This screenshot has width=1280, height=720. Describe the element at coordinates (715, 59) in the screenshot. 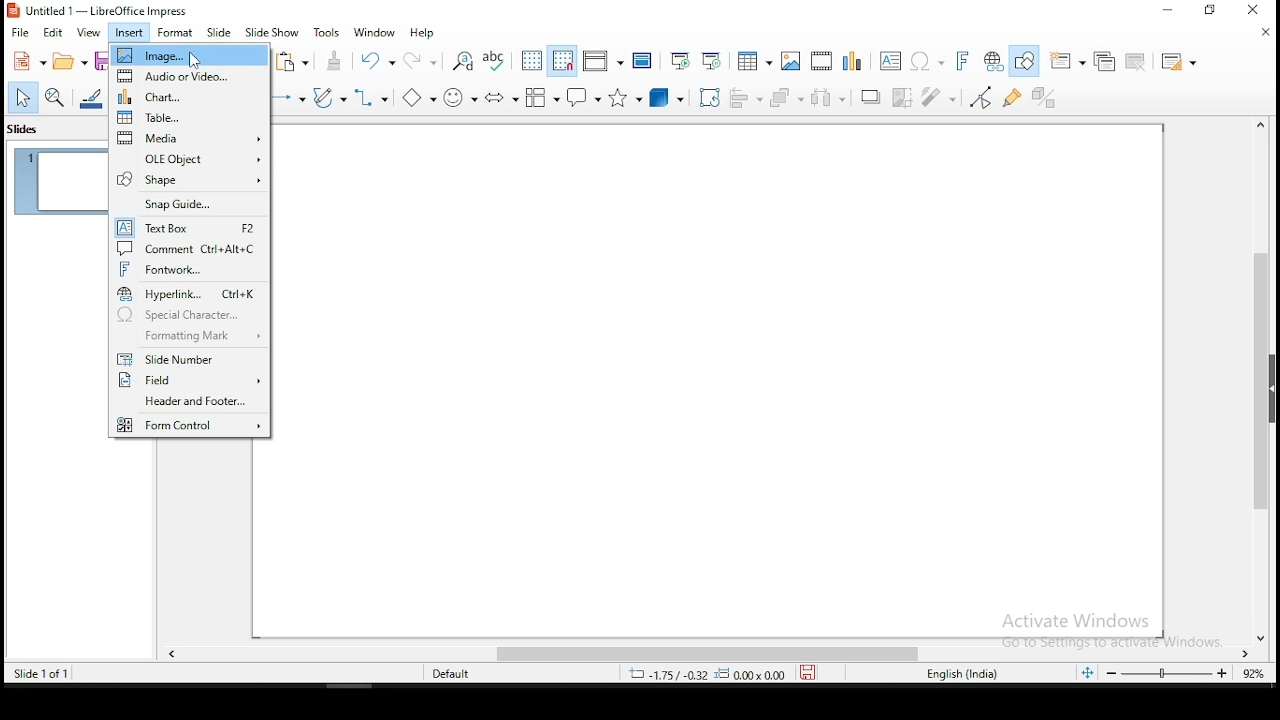

I see `start from current slide` at that location.